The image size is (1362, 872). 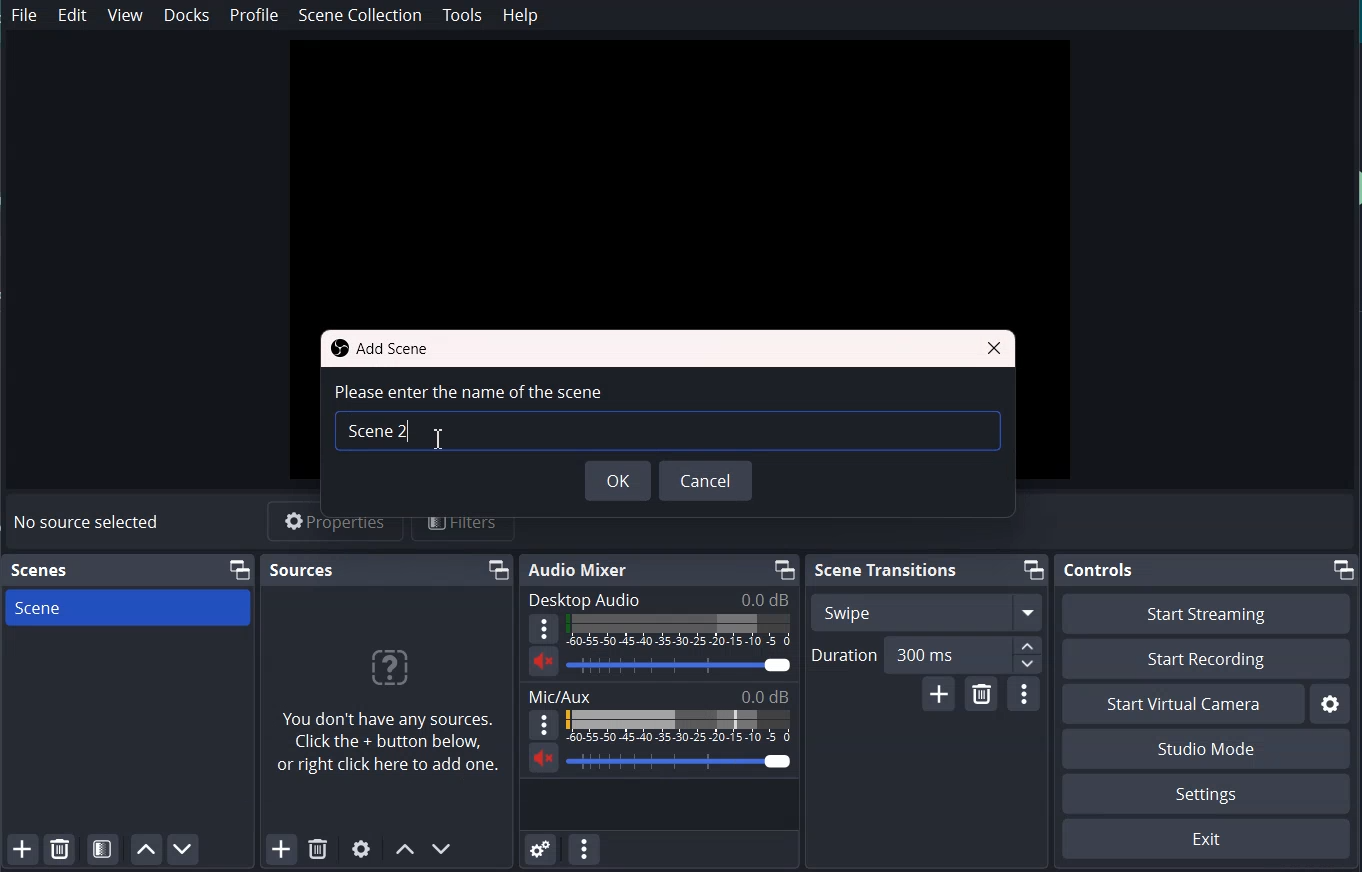 What do you see at coordinates (783, 569) in the screenshot?
I see `Maximize` at bounding box center [783, 569].